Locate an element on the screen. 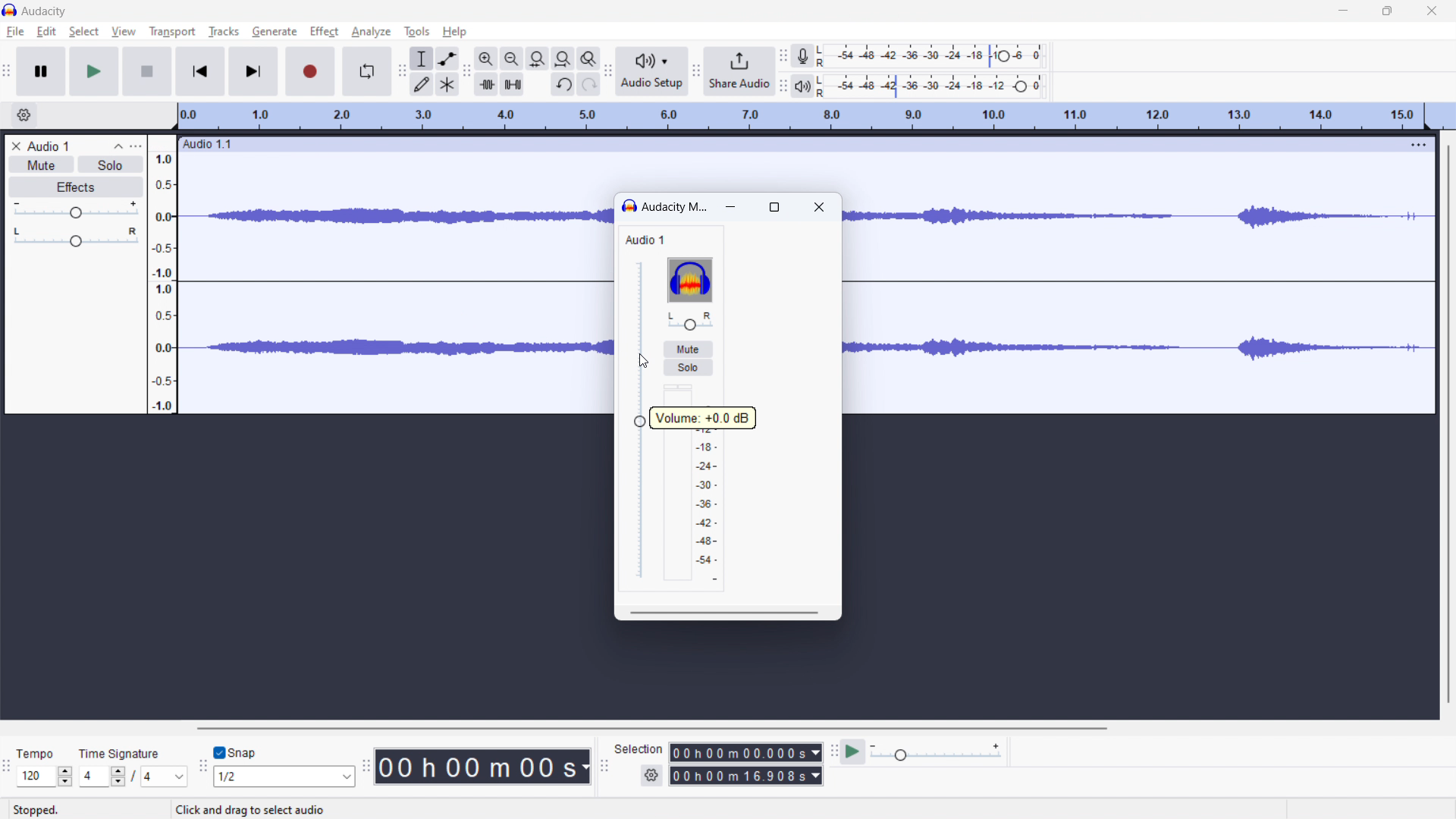  maximize is located at coordinates (1388, 10).